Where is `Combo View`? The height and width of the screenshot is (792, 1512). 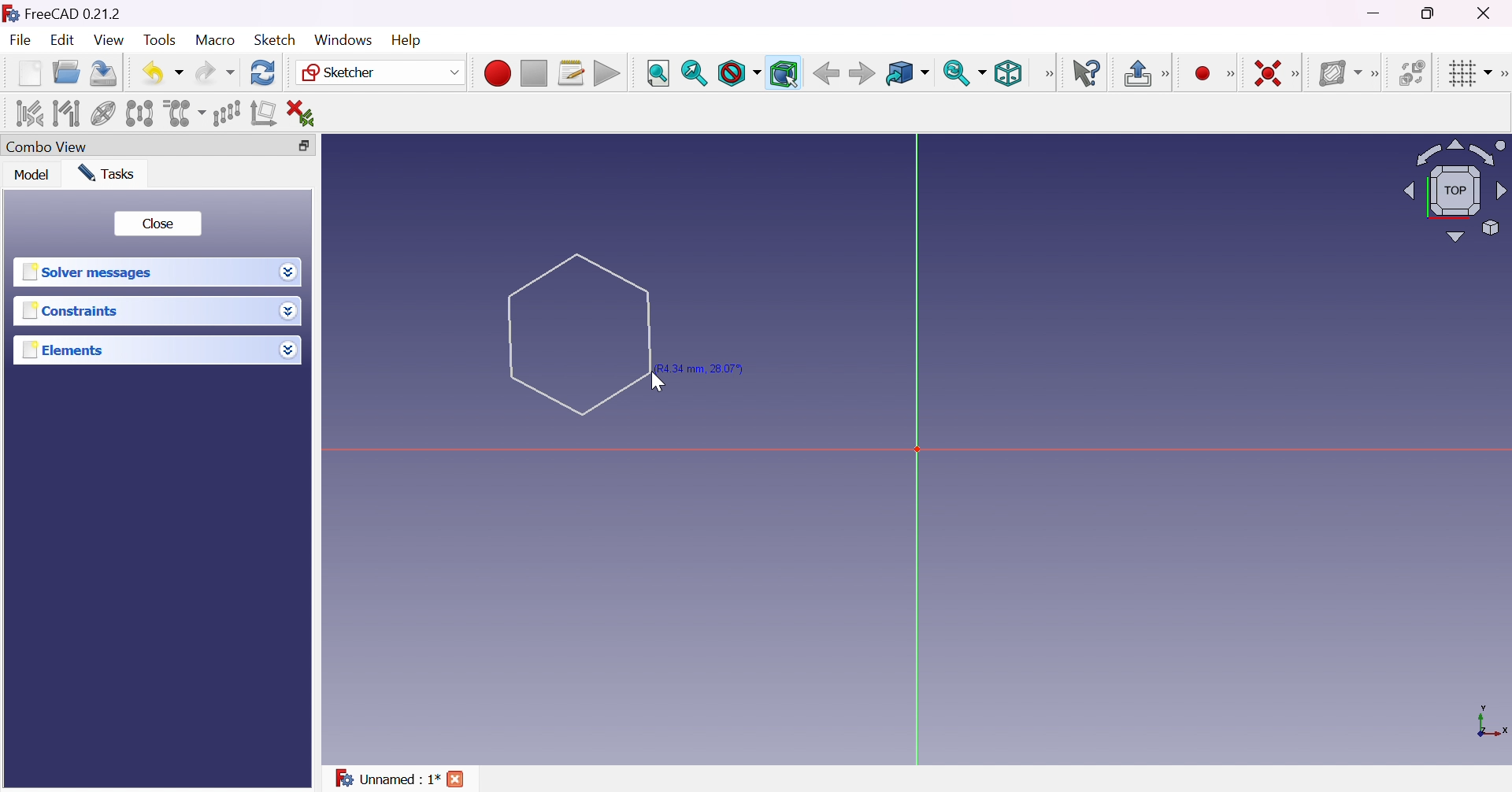
Combo View is located at coordinates (47, 146).